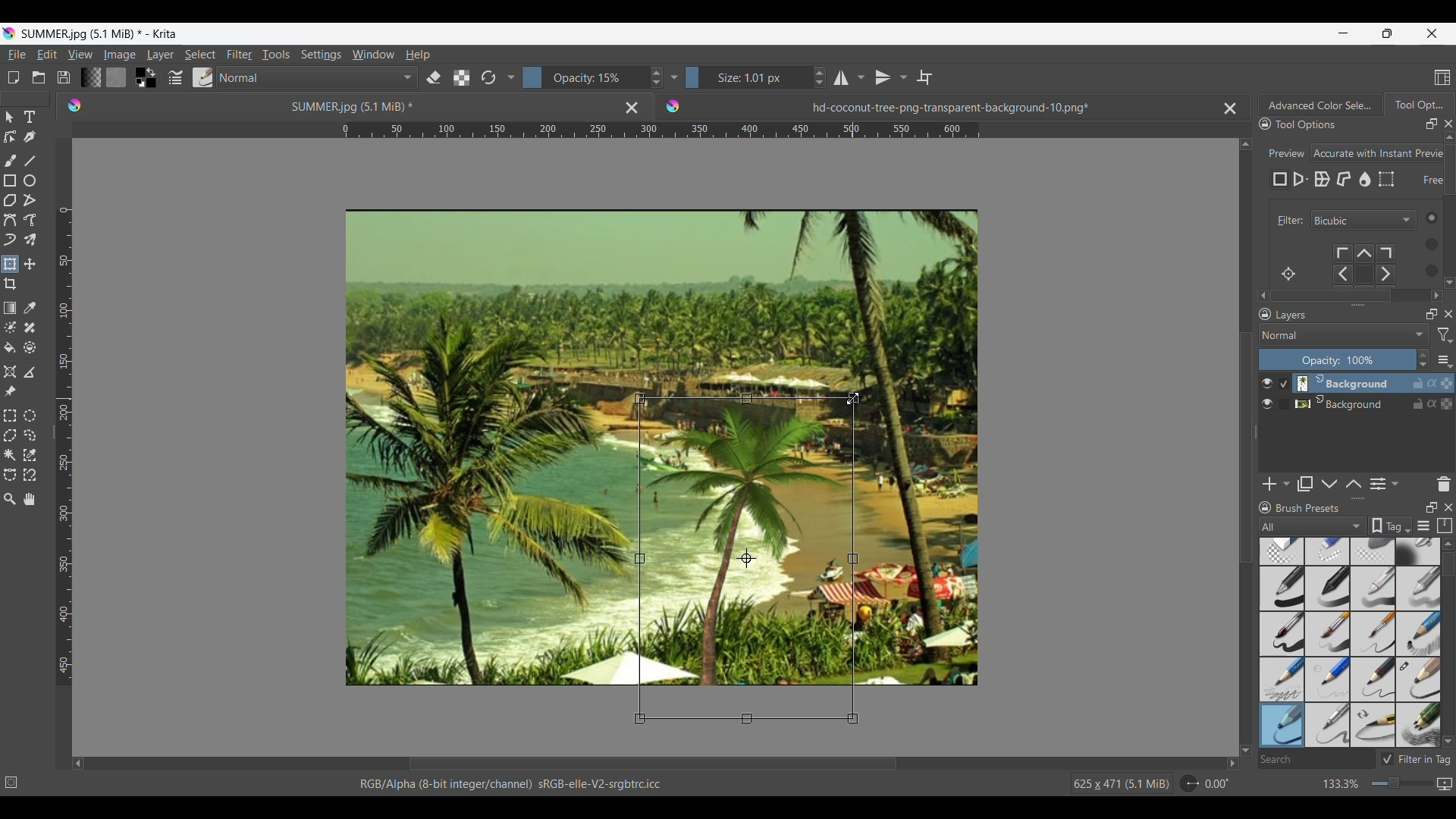 The width and height of the screenshot is (1456, 819). What do you see at coordinates (1418, 383) in the screenshot?
I see `Lock layer` at bounding box center [1418, 383].